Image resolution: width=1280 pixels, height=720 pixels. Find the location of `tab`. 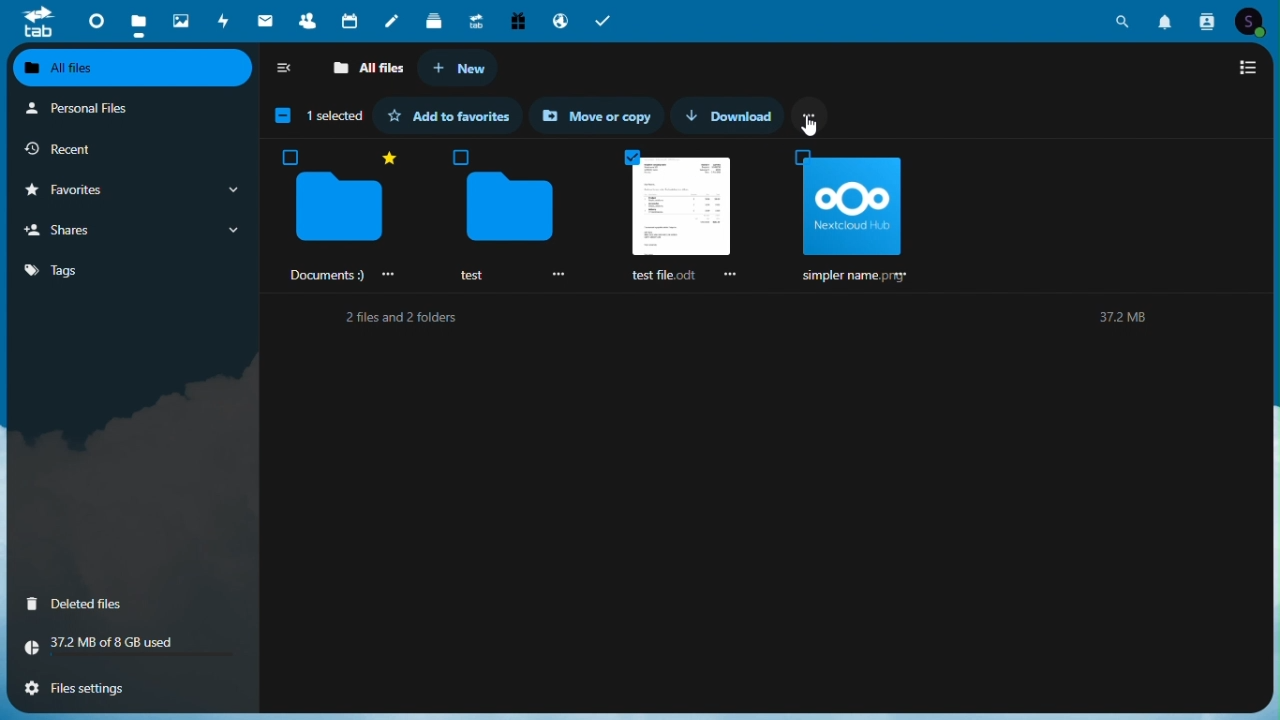

tab is located at coordinates (36, 23).